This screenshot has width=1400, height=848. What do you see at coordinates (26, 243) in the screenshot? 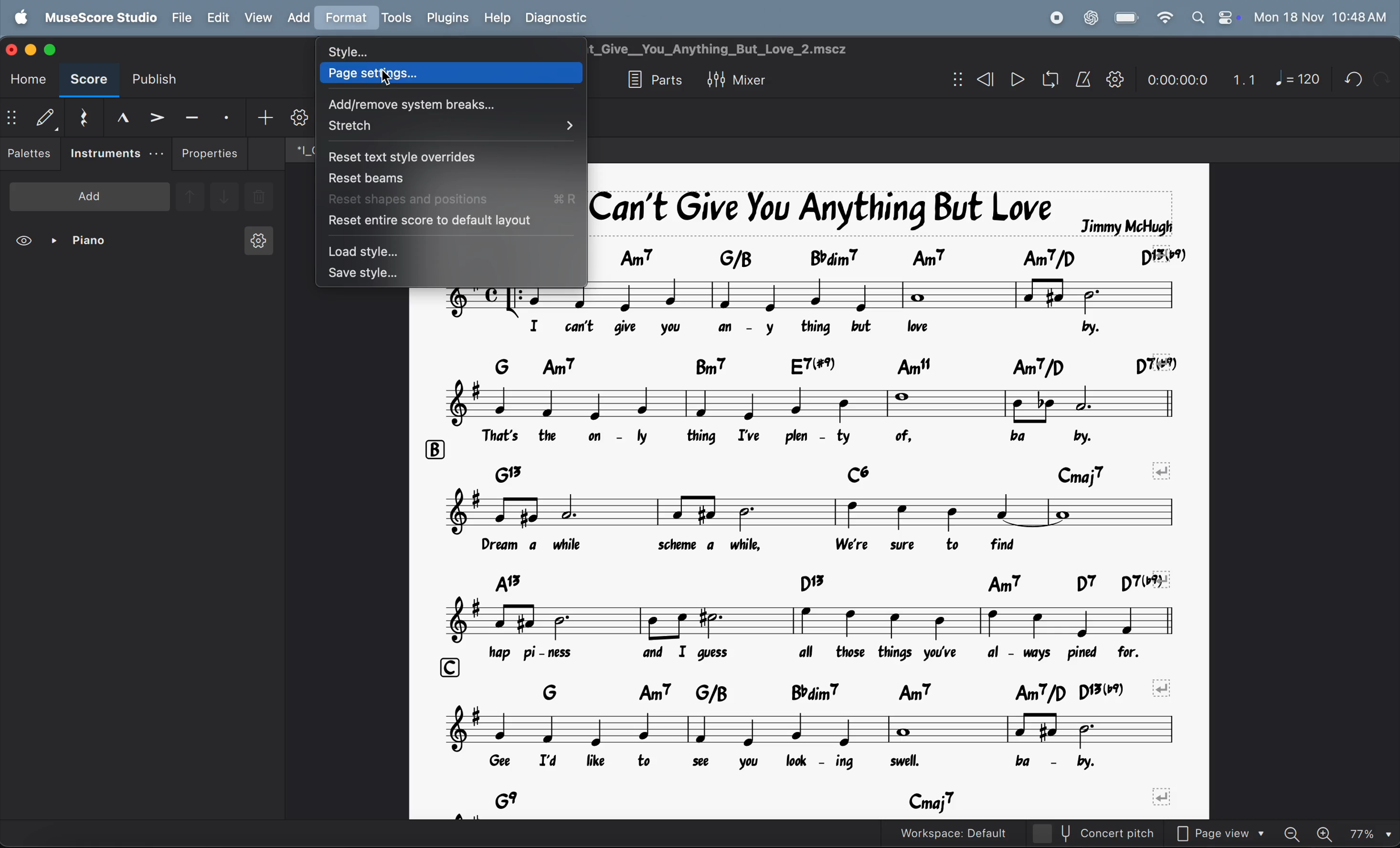
I see `view` at bounding box center [26, 243].